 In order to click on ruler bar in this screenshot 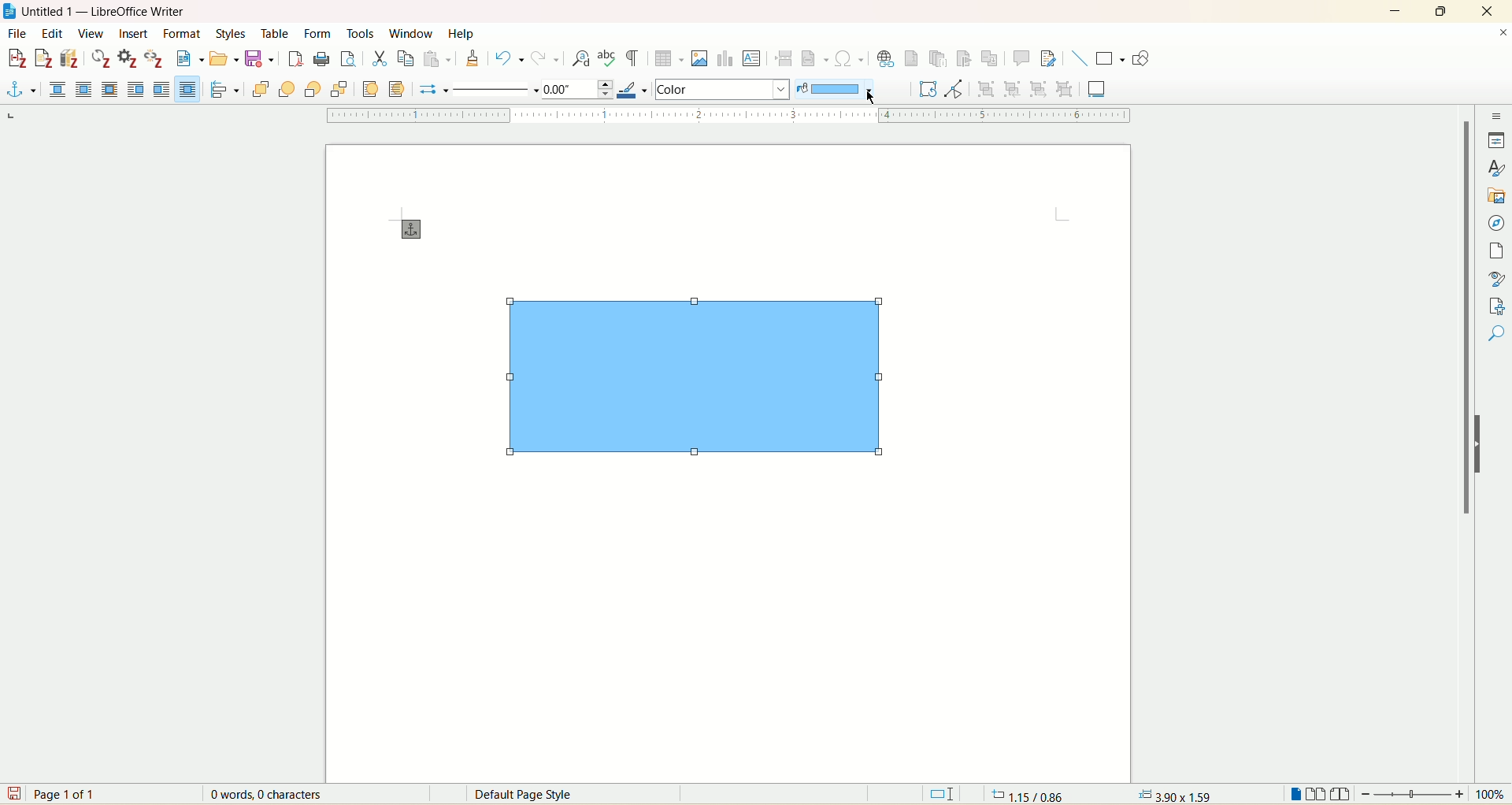, I will do `click(725, 117)`.